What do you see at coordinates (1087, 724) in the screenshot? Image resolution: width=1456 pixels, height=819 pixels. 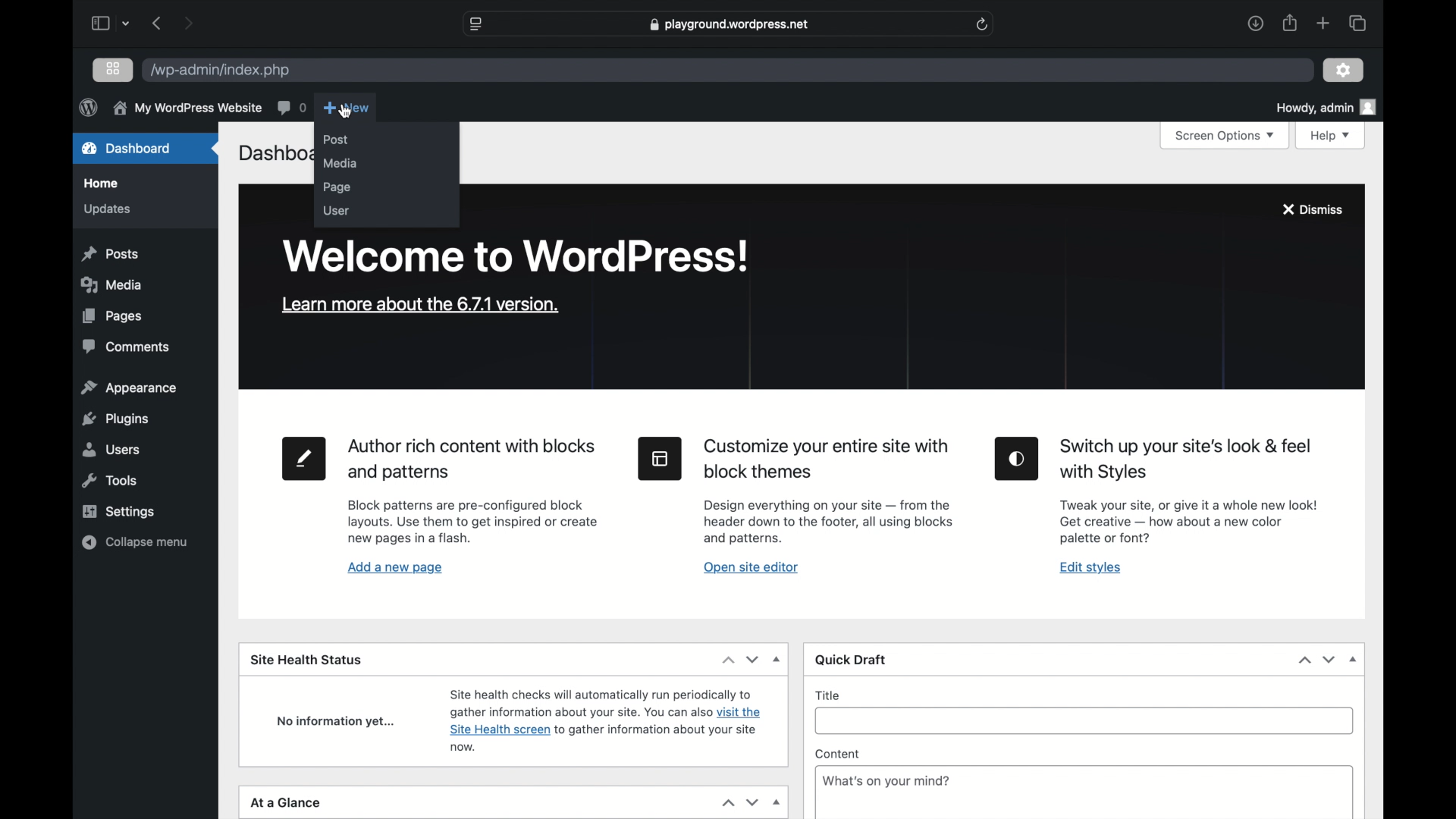 I see `title input` at bounding box center [1087, 724].